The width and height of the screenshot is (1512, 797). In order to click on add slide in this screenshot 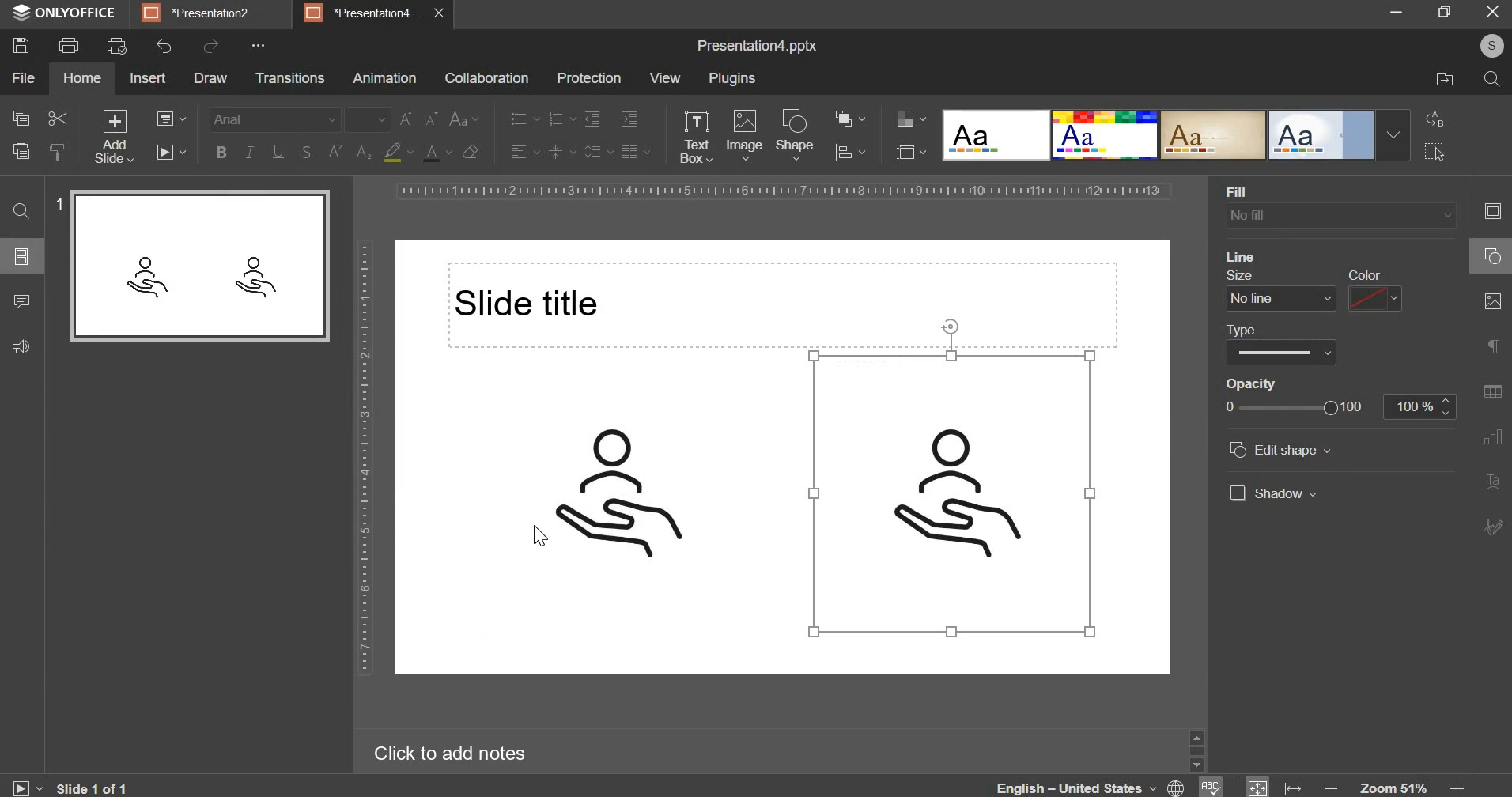, I will do `click(114, 138)`.